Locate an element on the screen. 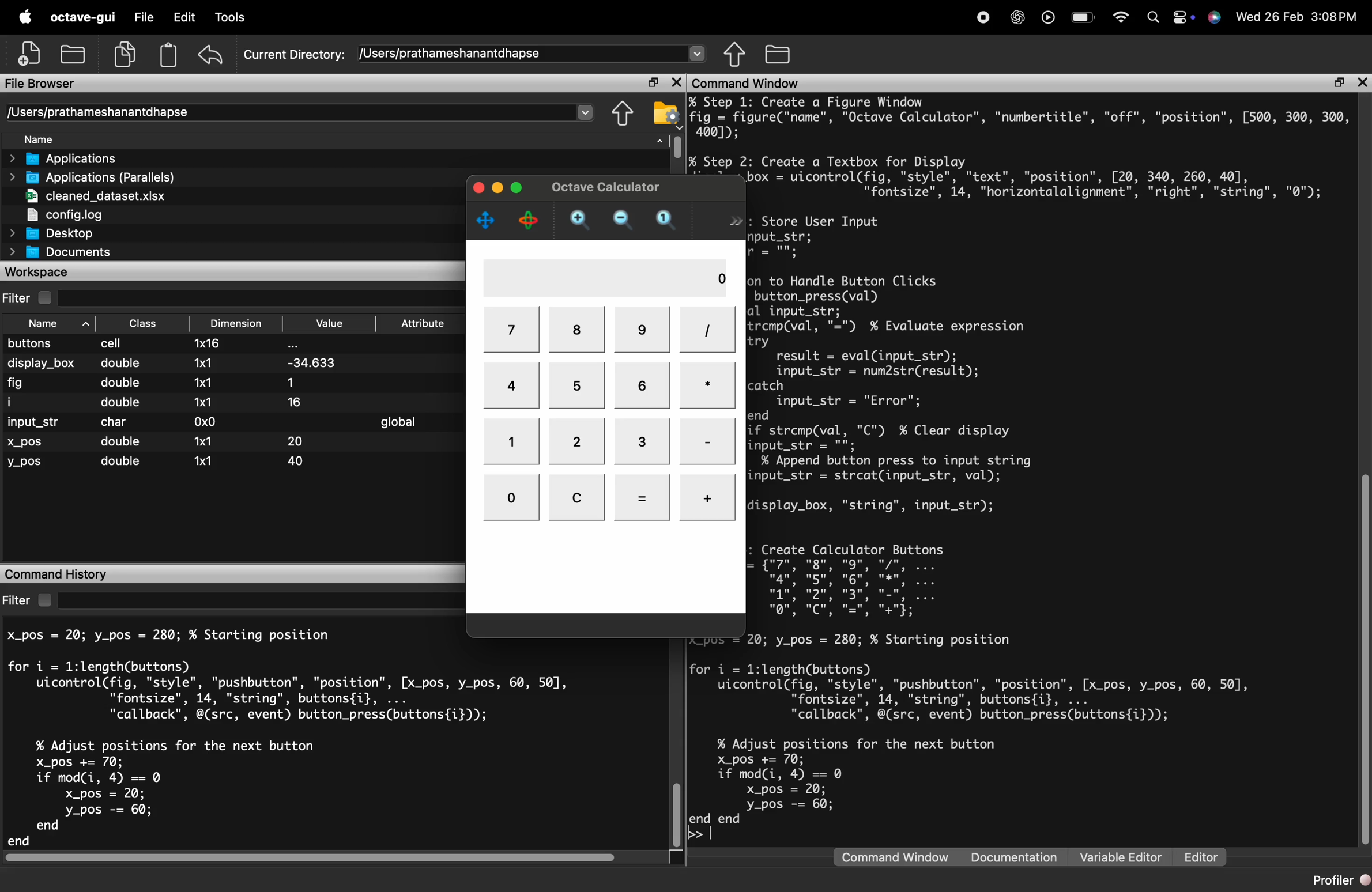 This screenshot has height=892, width=1372. search here is located at coordinates (257, 601).